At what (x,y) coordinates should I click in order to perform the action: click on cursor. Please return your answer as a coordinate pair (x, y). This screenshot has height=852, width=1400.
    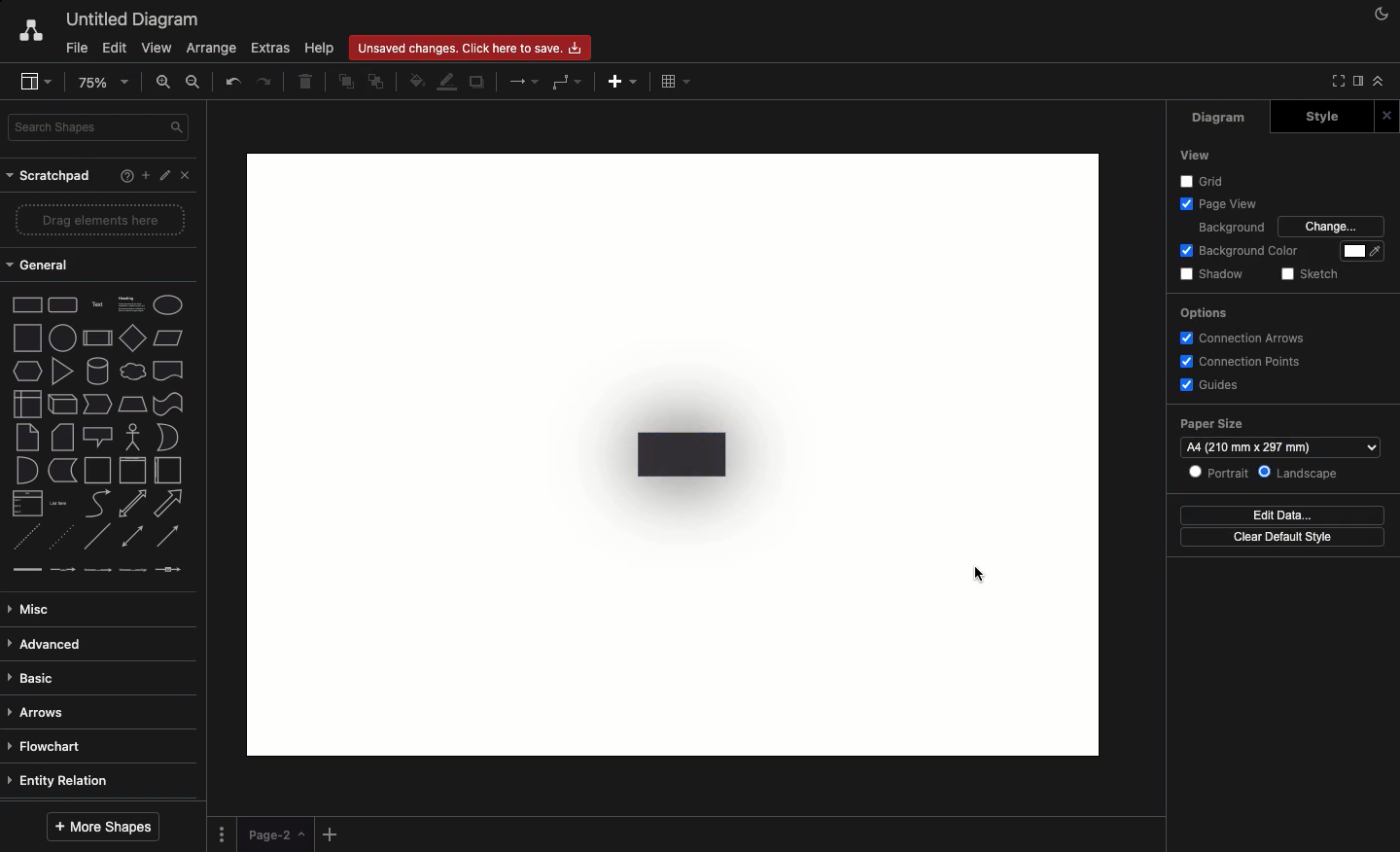
    Looking at the image, I should click on (976, 576).